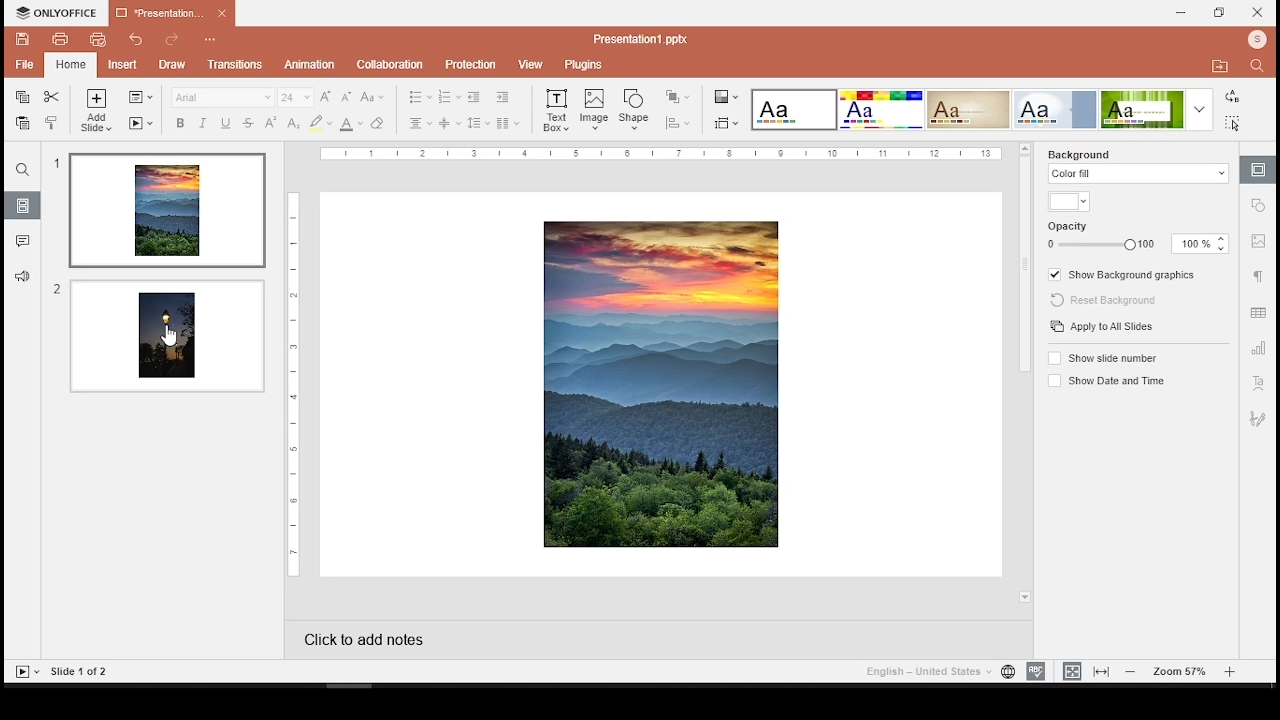  What do you see at coordinates (140, 124) in the screenshot?
I see `start slide show` at bounding box center [140, 124].